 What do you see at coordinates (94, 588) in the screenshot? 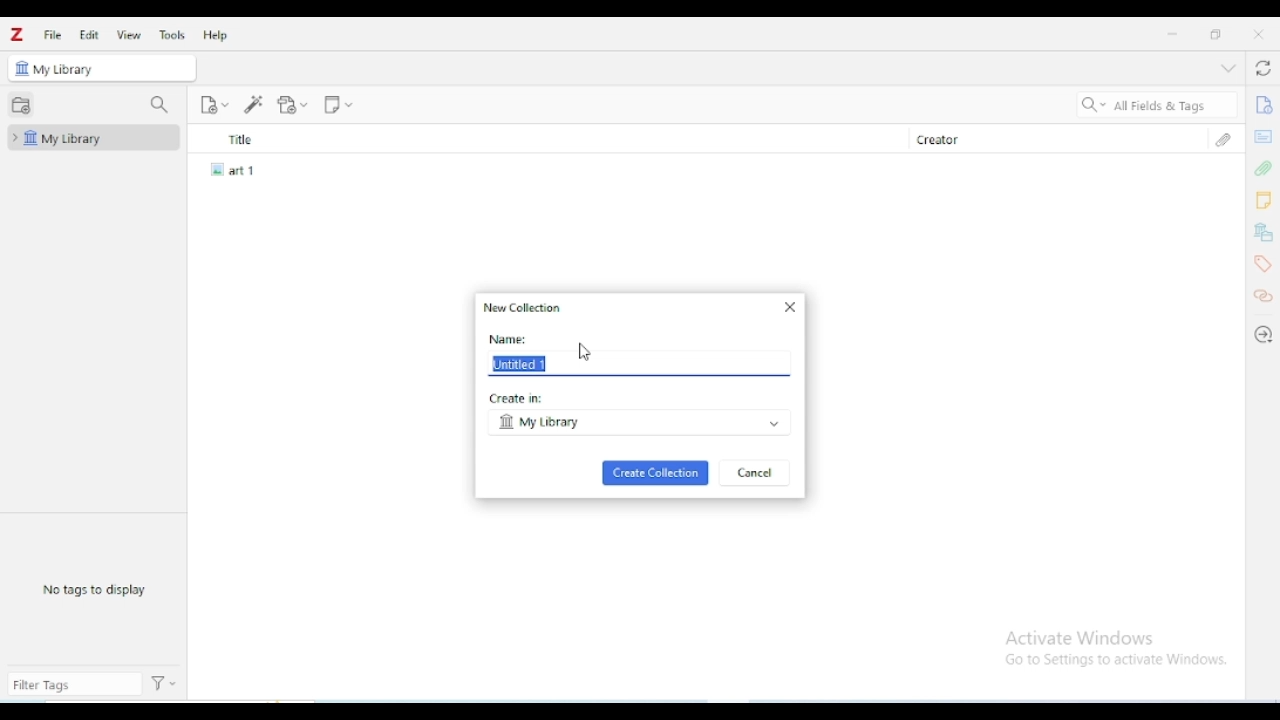
I see `no tags to display` at bounding box center [94, 588].